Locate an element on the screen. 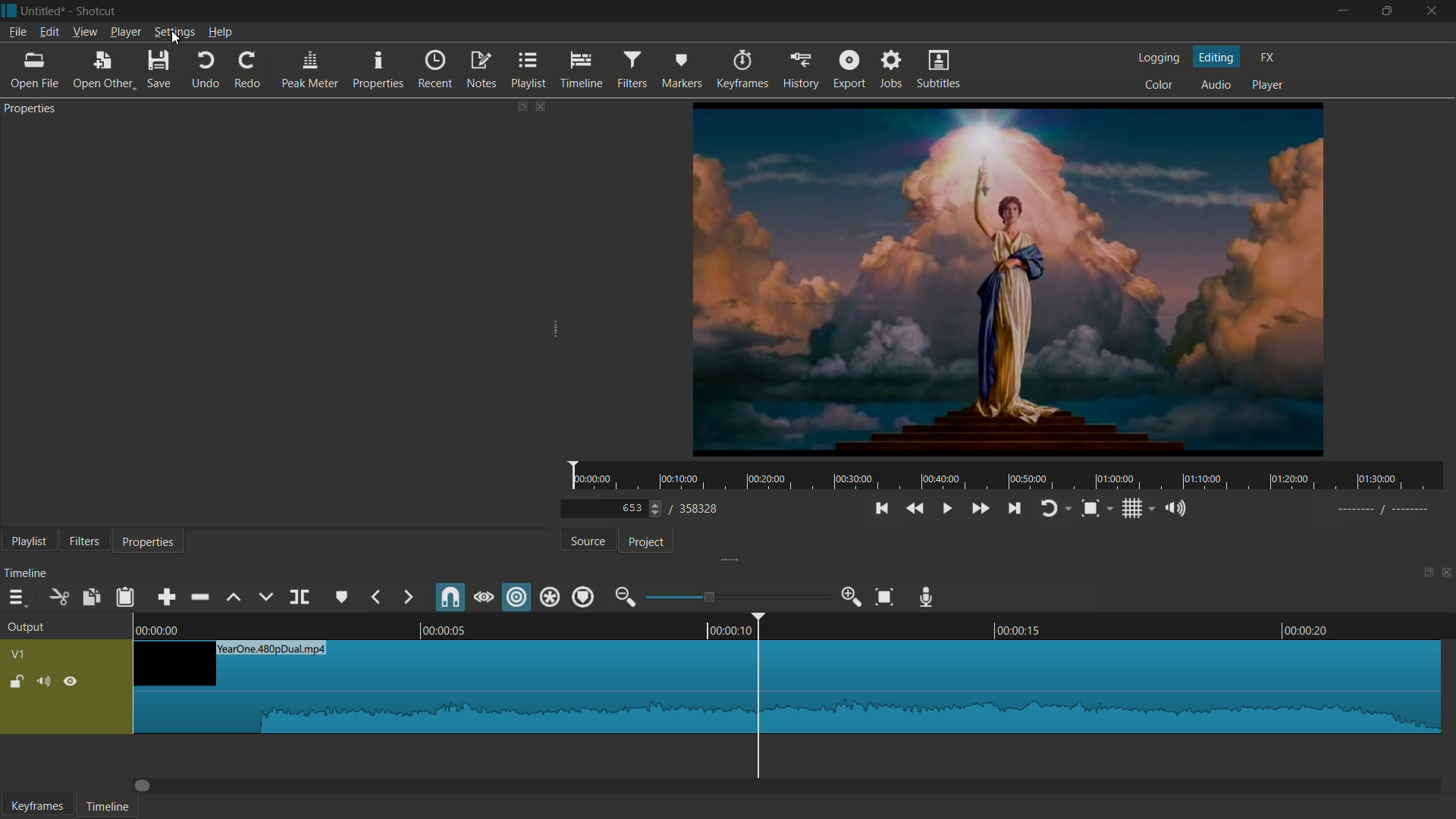  skip to the previous point is located at coordinates (880, 508).